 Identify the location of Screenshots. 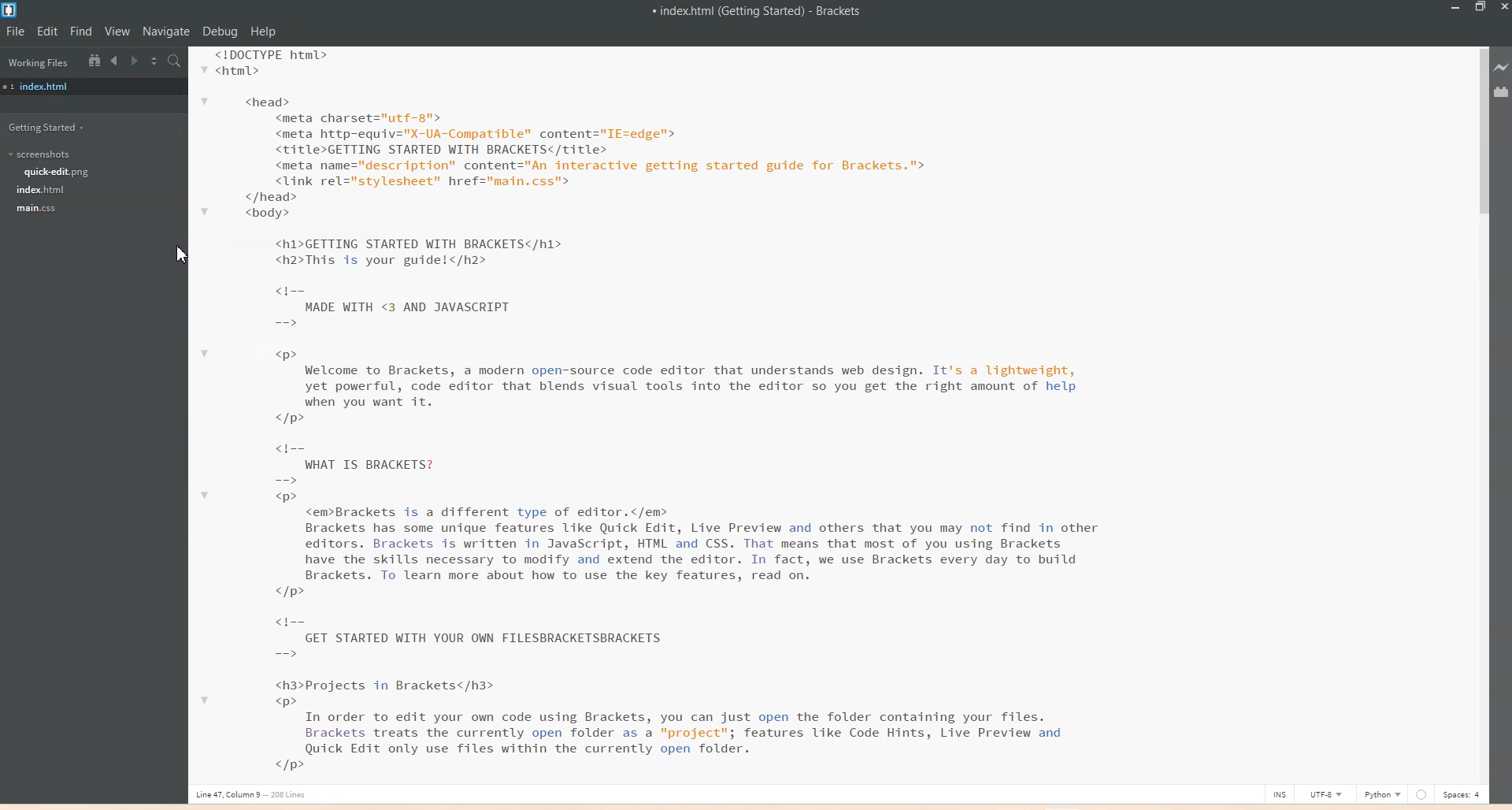
(40, 154).